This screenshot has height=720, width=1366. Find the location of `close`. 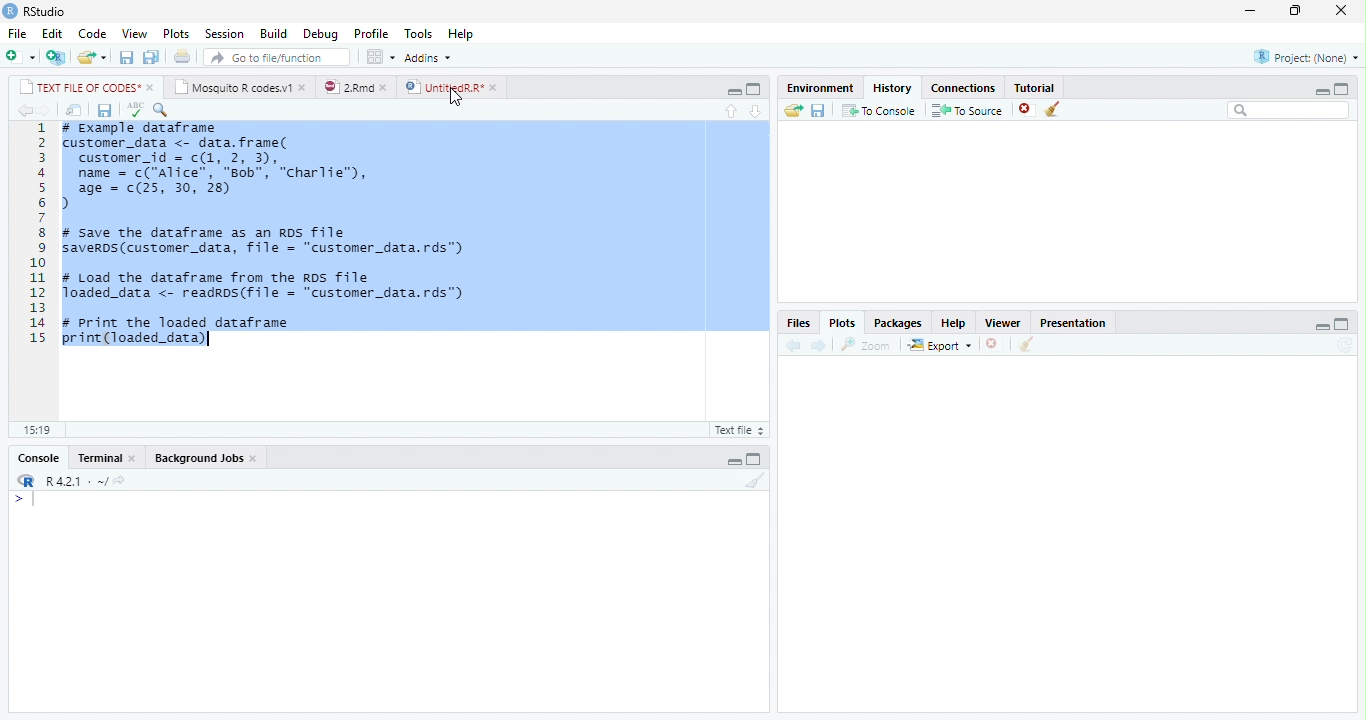

close is located at coordinates (134, 459).